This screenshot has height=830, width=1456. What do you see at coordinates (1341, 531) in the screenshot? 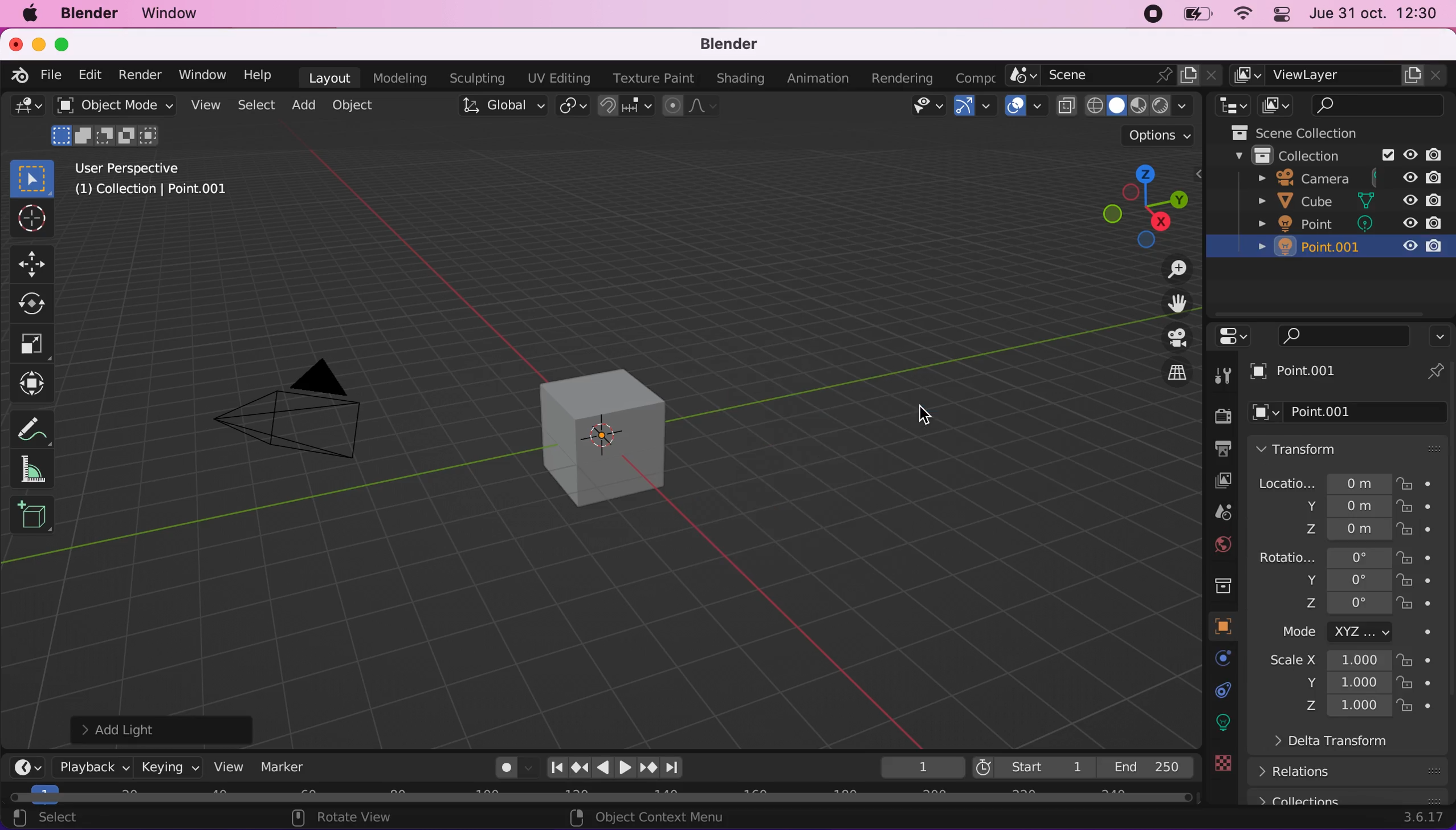
I see `z 0m` at bounding box center [1341, 531].